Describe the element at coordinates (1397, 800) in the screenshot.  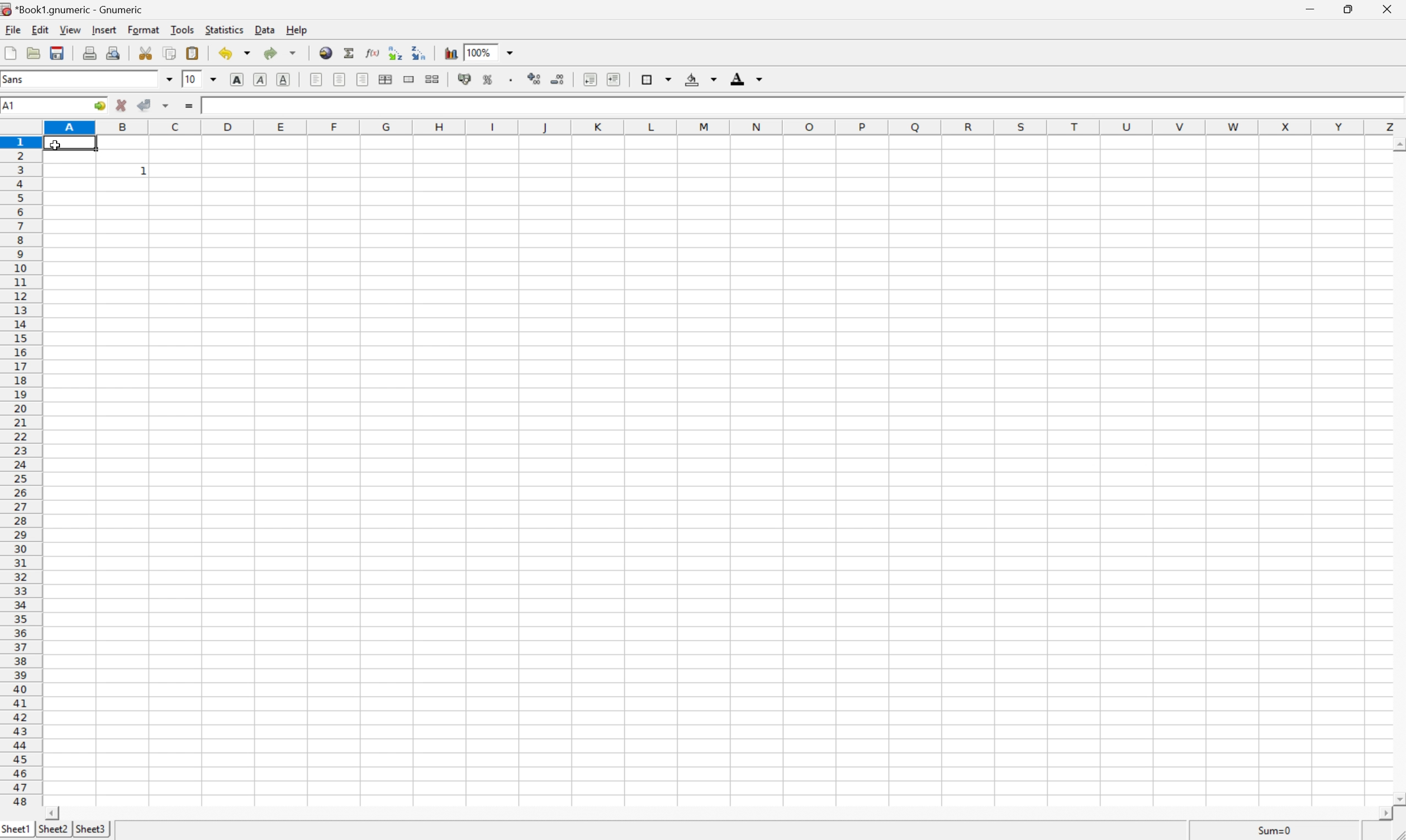
I see `scroll down` at that location.